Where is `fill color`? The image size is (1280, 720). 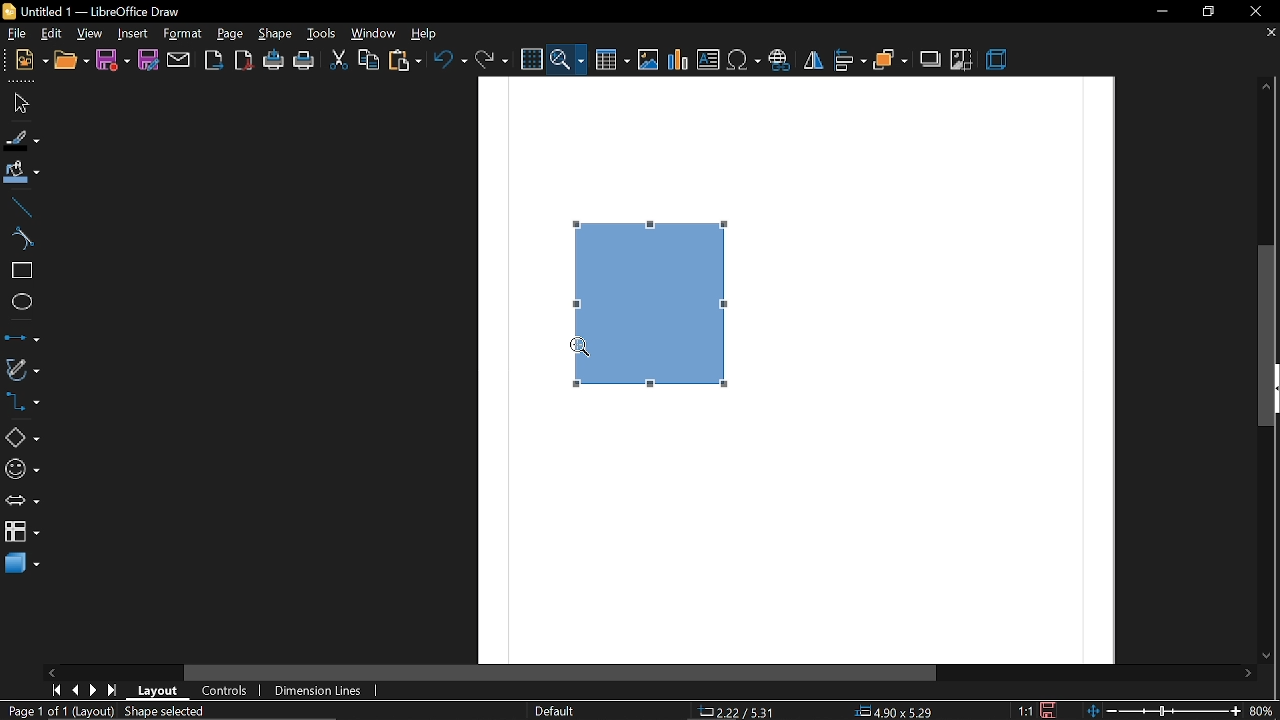
fill color is located at coordinates (21, 171).